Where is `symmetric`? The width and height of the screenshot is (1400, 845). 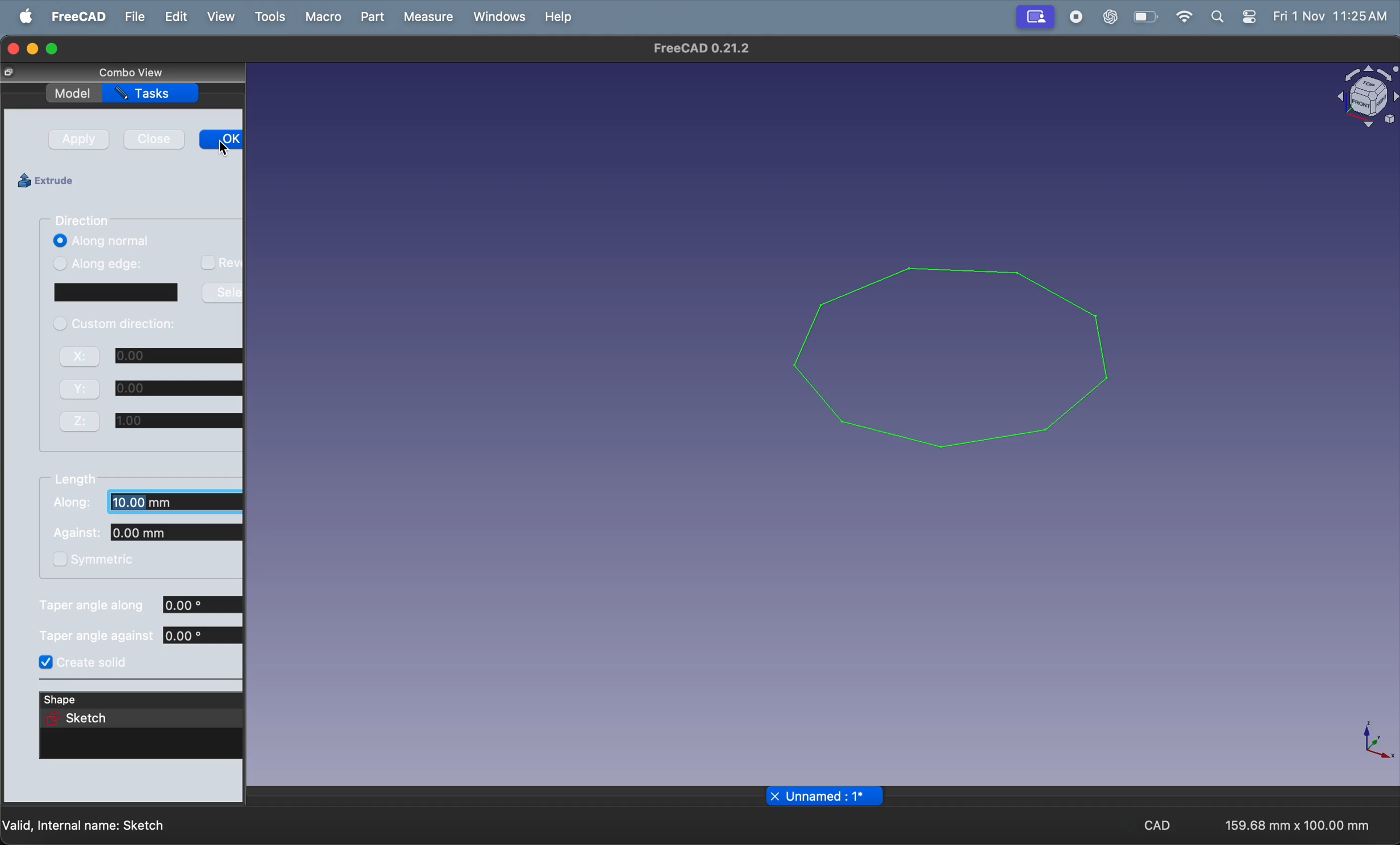 symmetric is located at coordinates (101, 560).